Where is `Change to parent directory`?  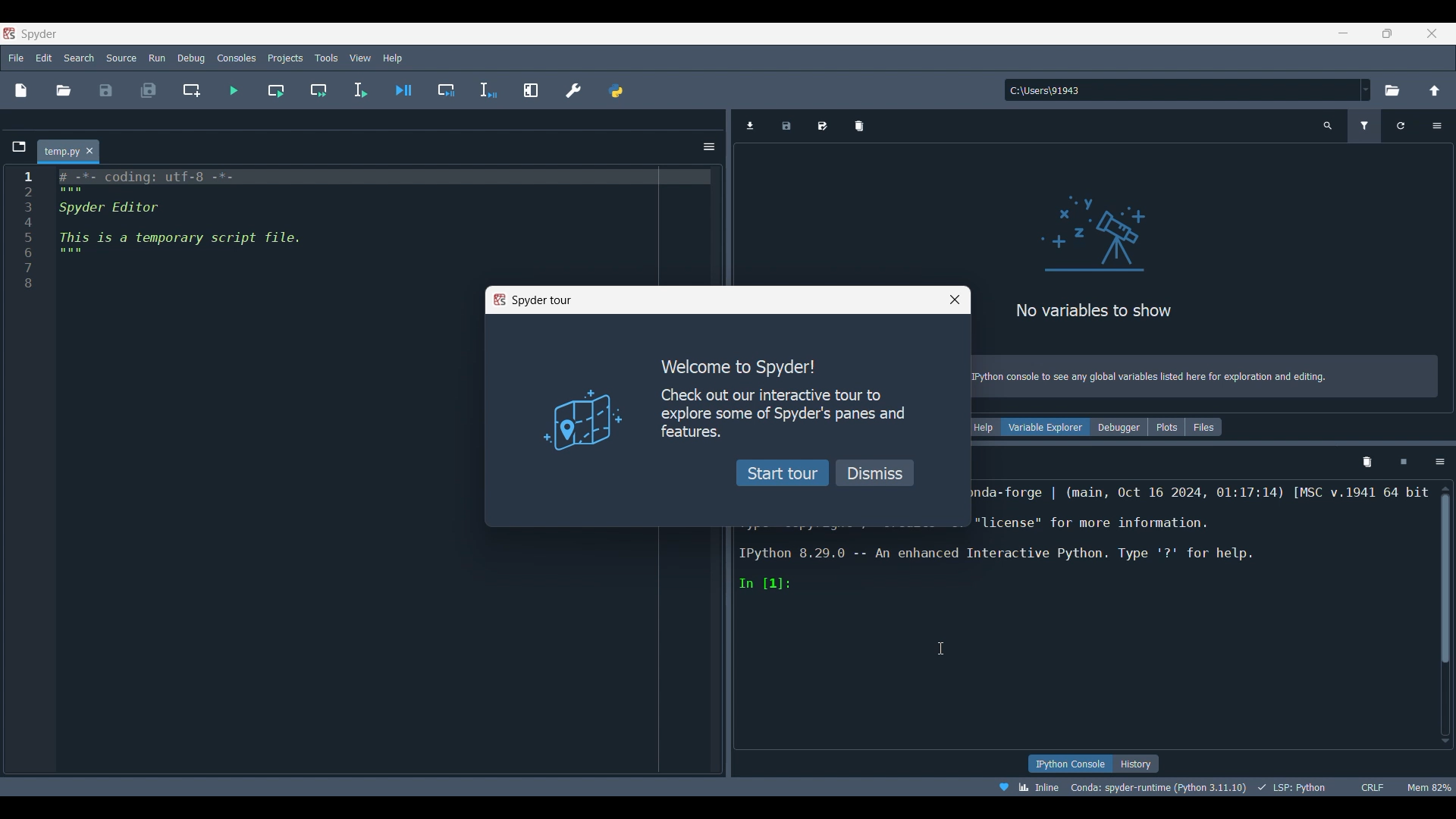
Change to parent directory is located at coordinates (1435, 91).